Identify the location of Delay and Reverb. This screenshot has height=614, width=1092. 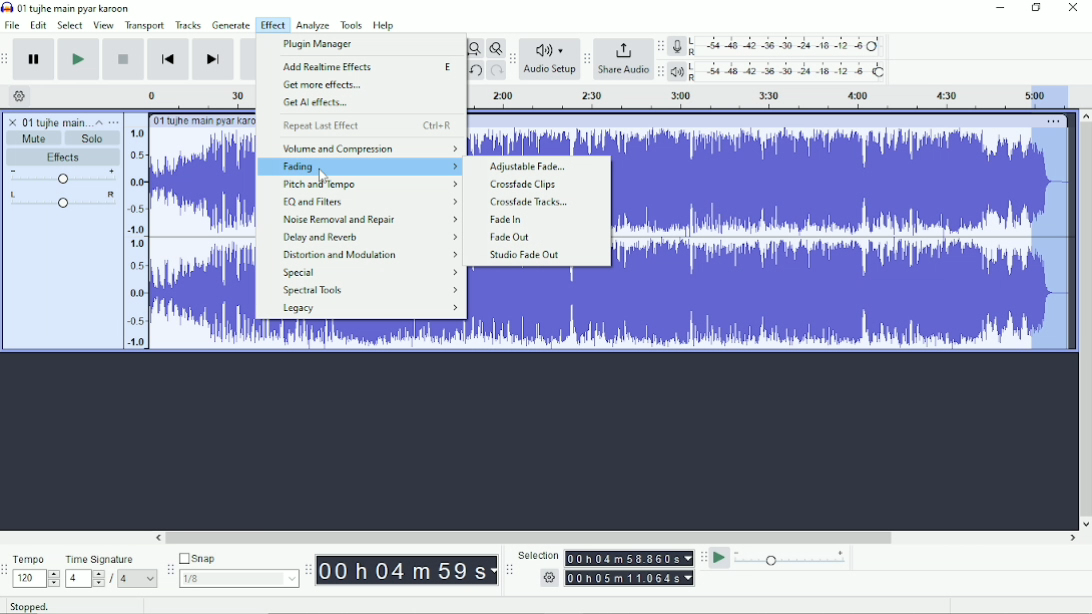
(369, 238).